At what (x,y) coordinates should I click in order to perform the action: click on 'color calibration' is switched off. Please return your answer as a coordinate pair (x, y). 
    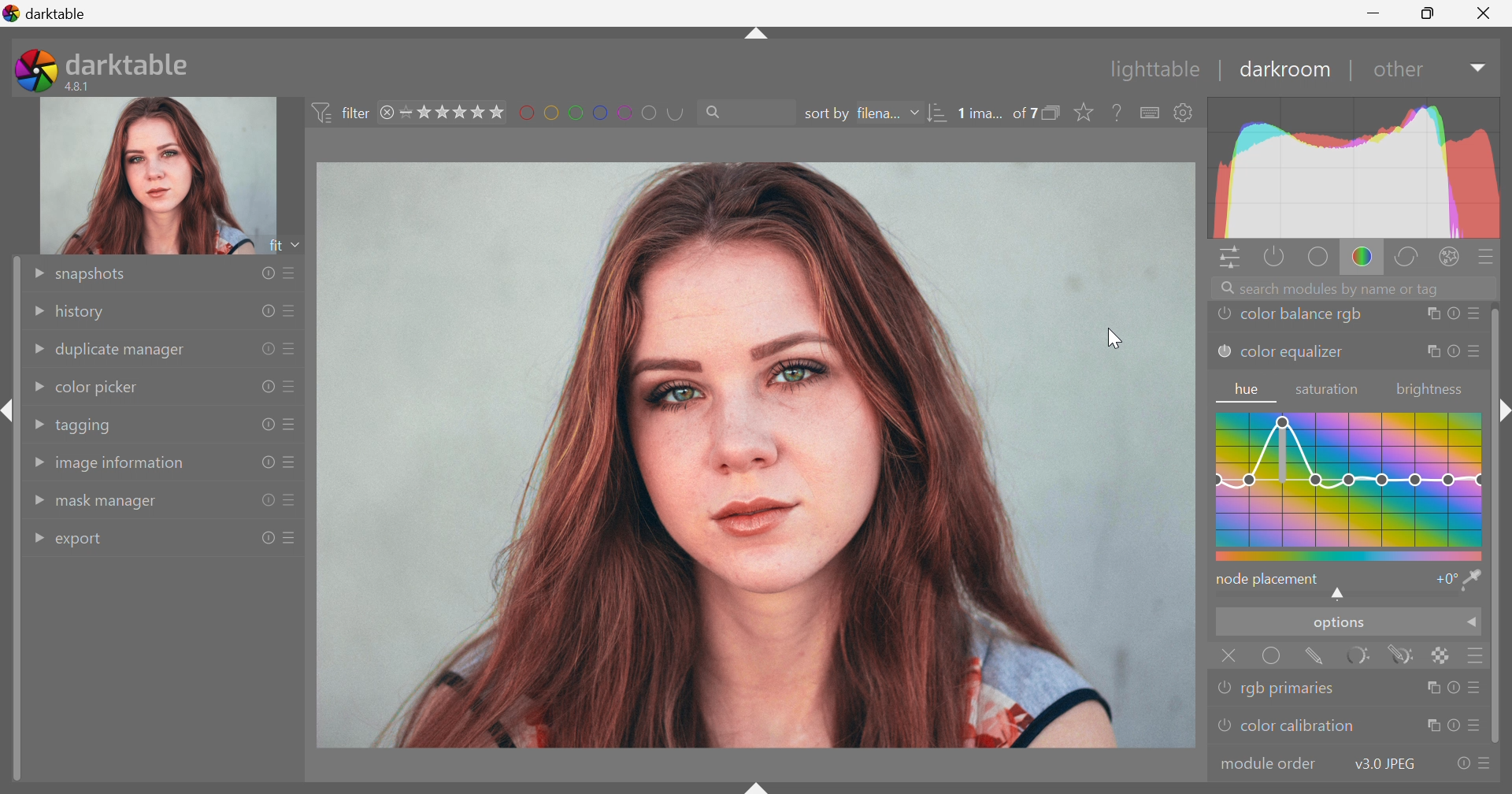
    Looking at the image, I should click on (1221, 728).